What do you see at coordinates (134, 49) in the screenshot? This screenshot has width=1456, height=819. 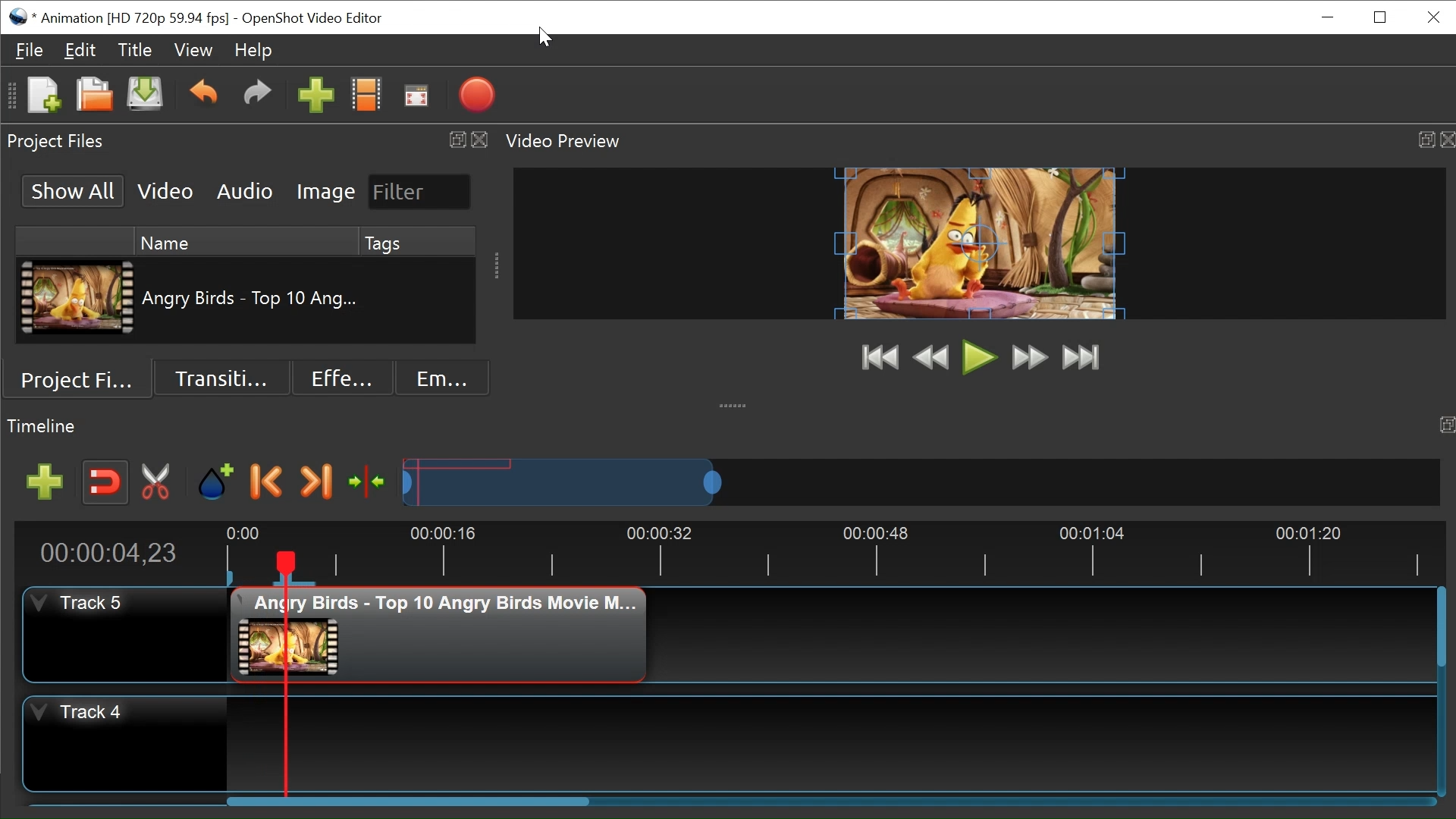 I see `Title` at bounding box center [134, 49].